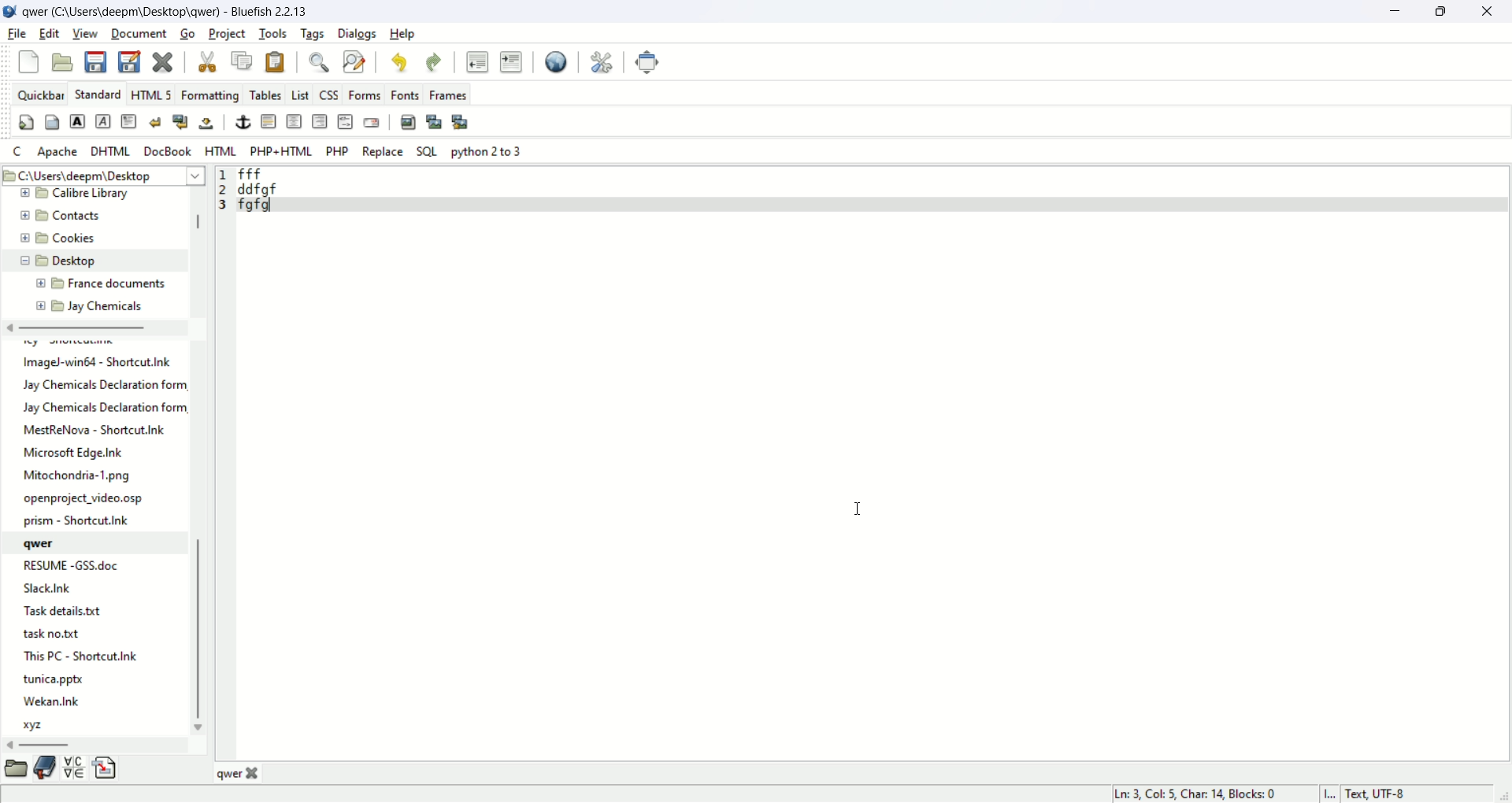 The image size is (1512, 803). Describe the element at coordinates (437, 61) in the screenshot. I see `redo` at that location.